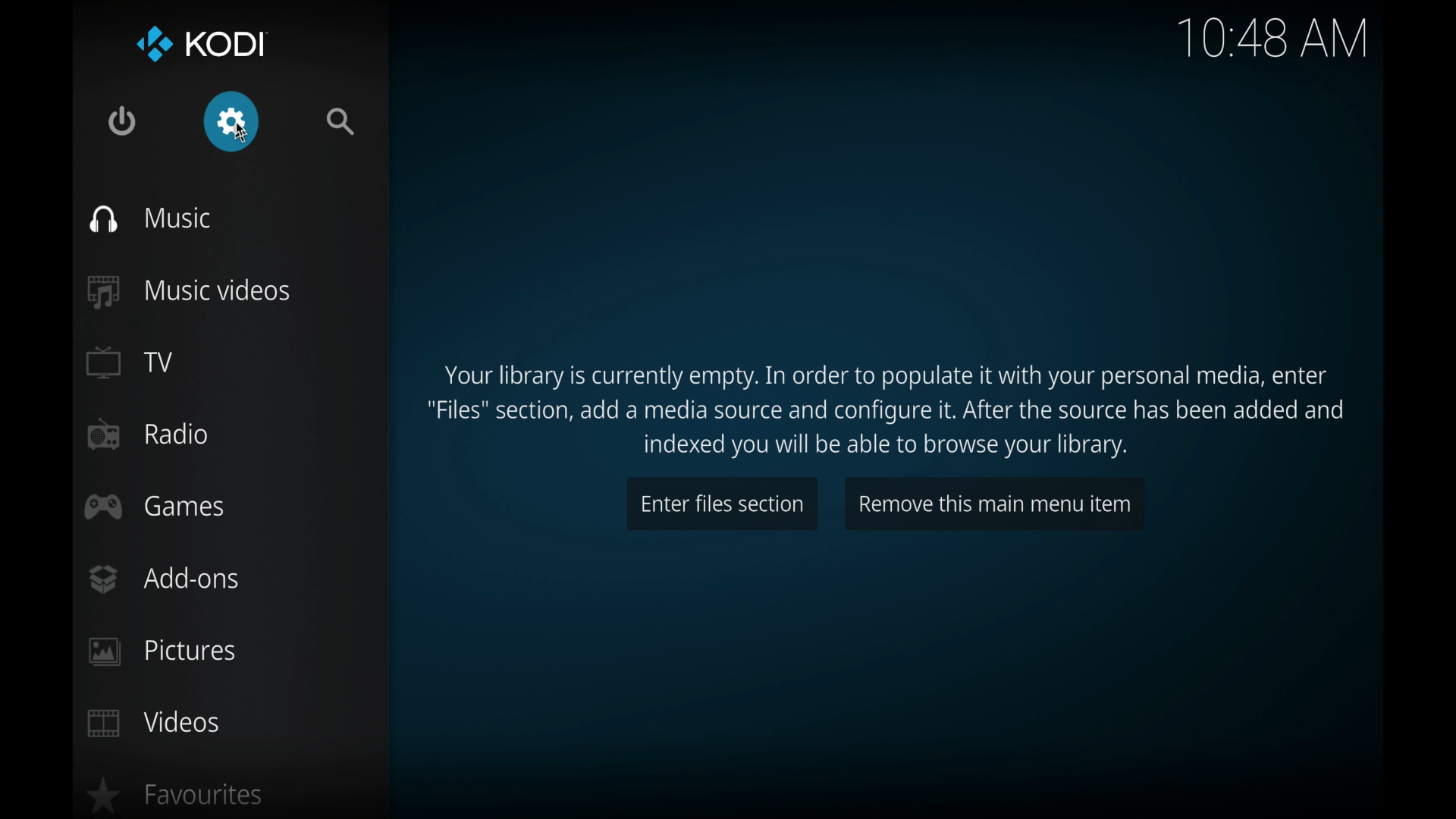 This screenshot has width=1456, height=819. Describe the element at coordinates (1274, 39) in the screenshot. I see `time` at that location.